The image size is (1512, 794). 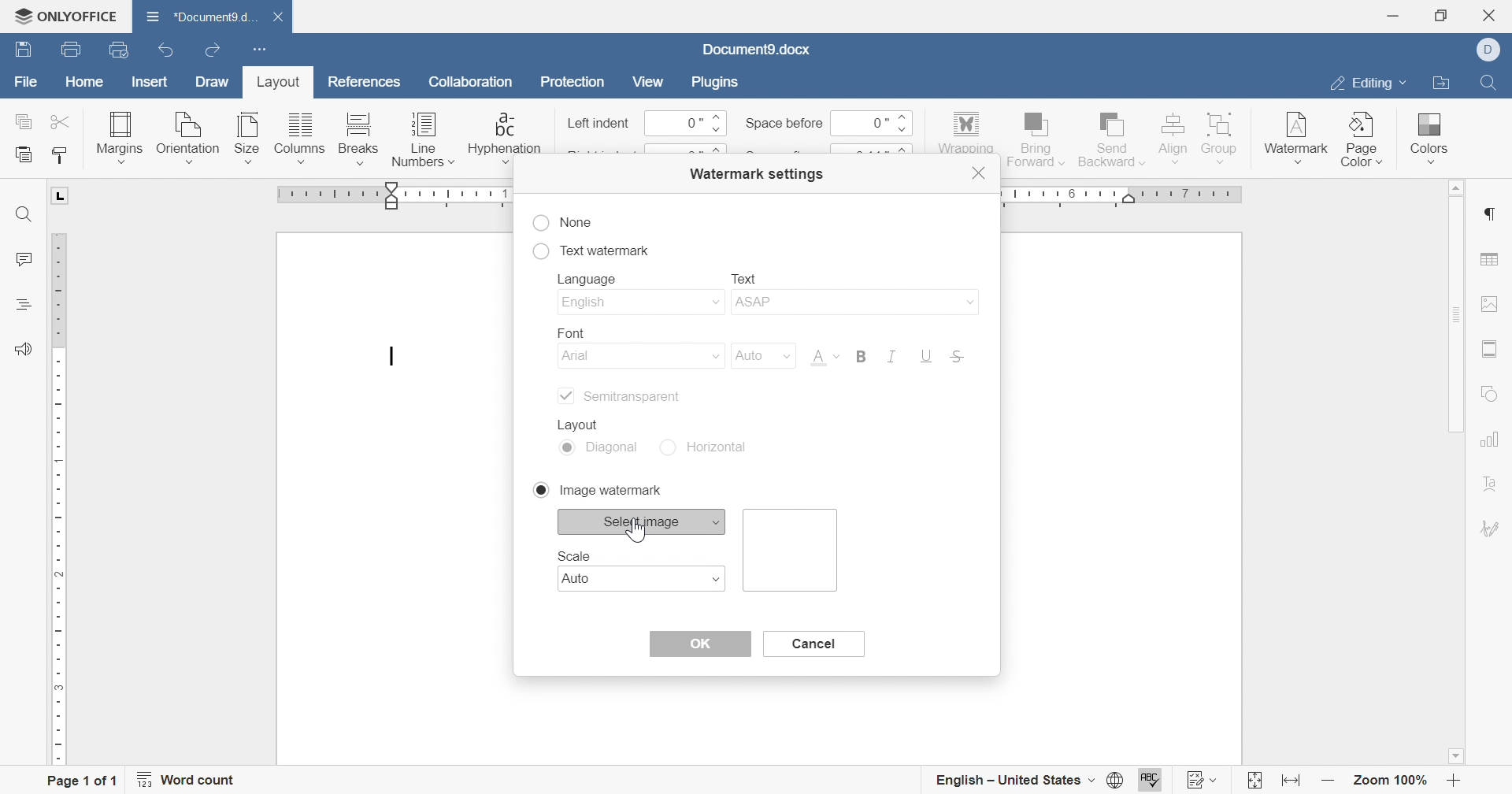 I want to click on scroll down, so click(x=1455, y=756).